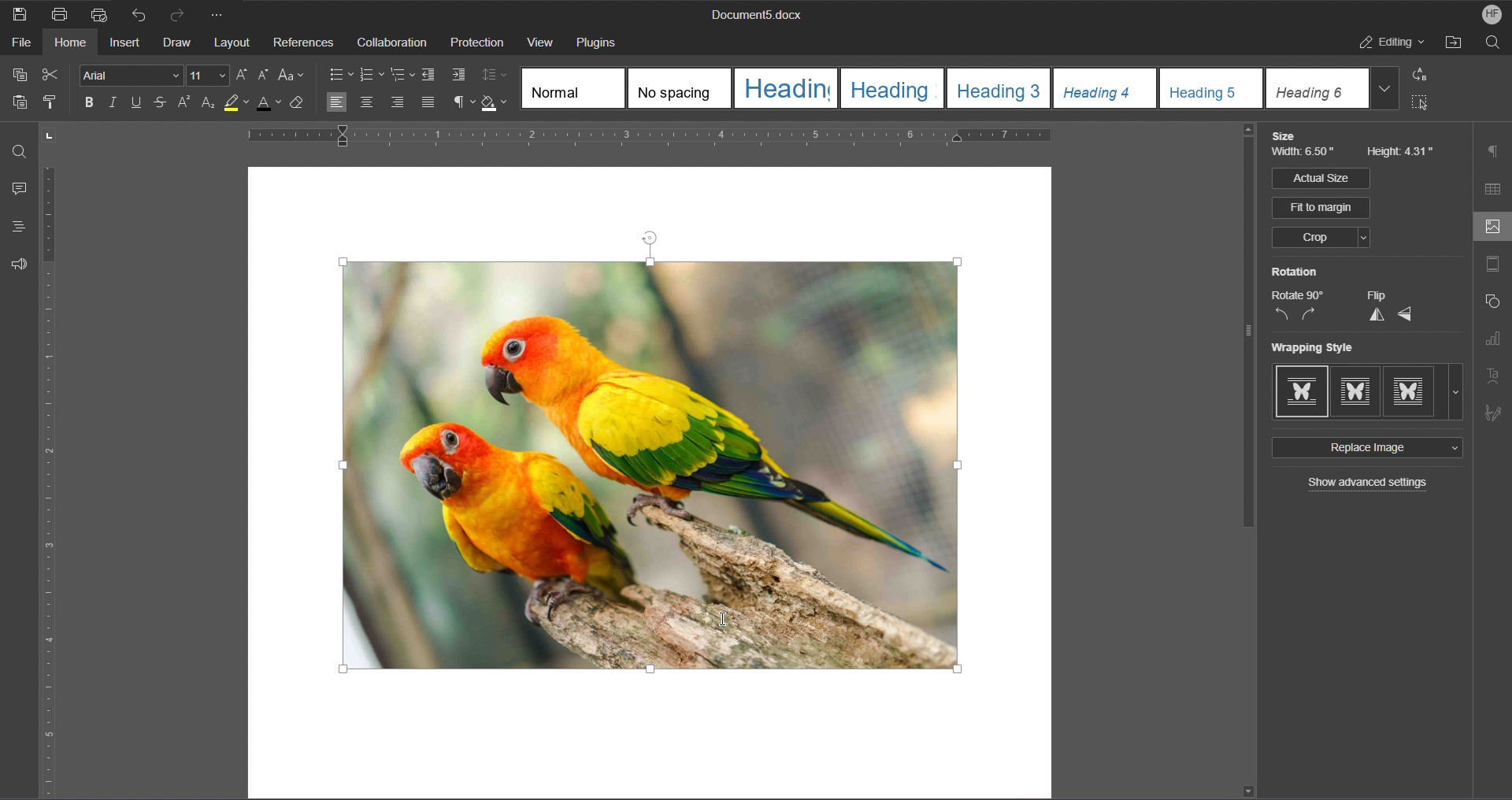  Describe the element at coordinates (1492, 267) in the screenshot. I see `Header/Footer` at that location.